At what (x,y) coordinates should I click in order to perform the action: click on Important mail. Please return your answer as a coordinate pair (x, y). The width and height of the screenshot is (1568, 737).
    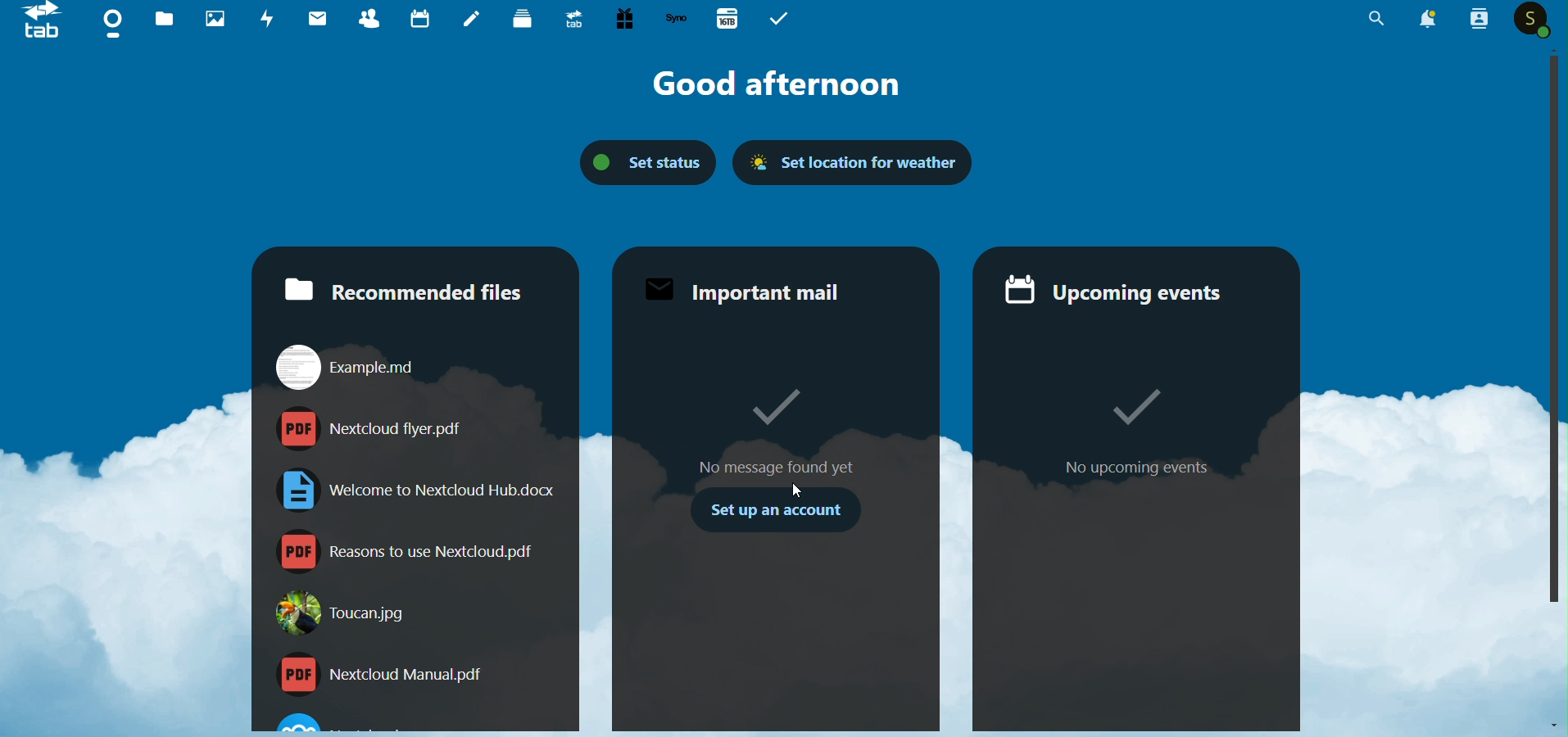
    Looking at the image, I should click on (750, 291).